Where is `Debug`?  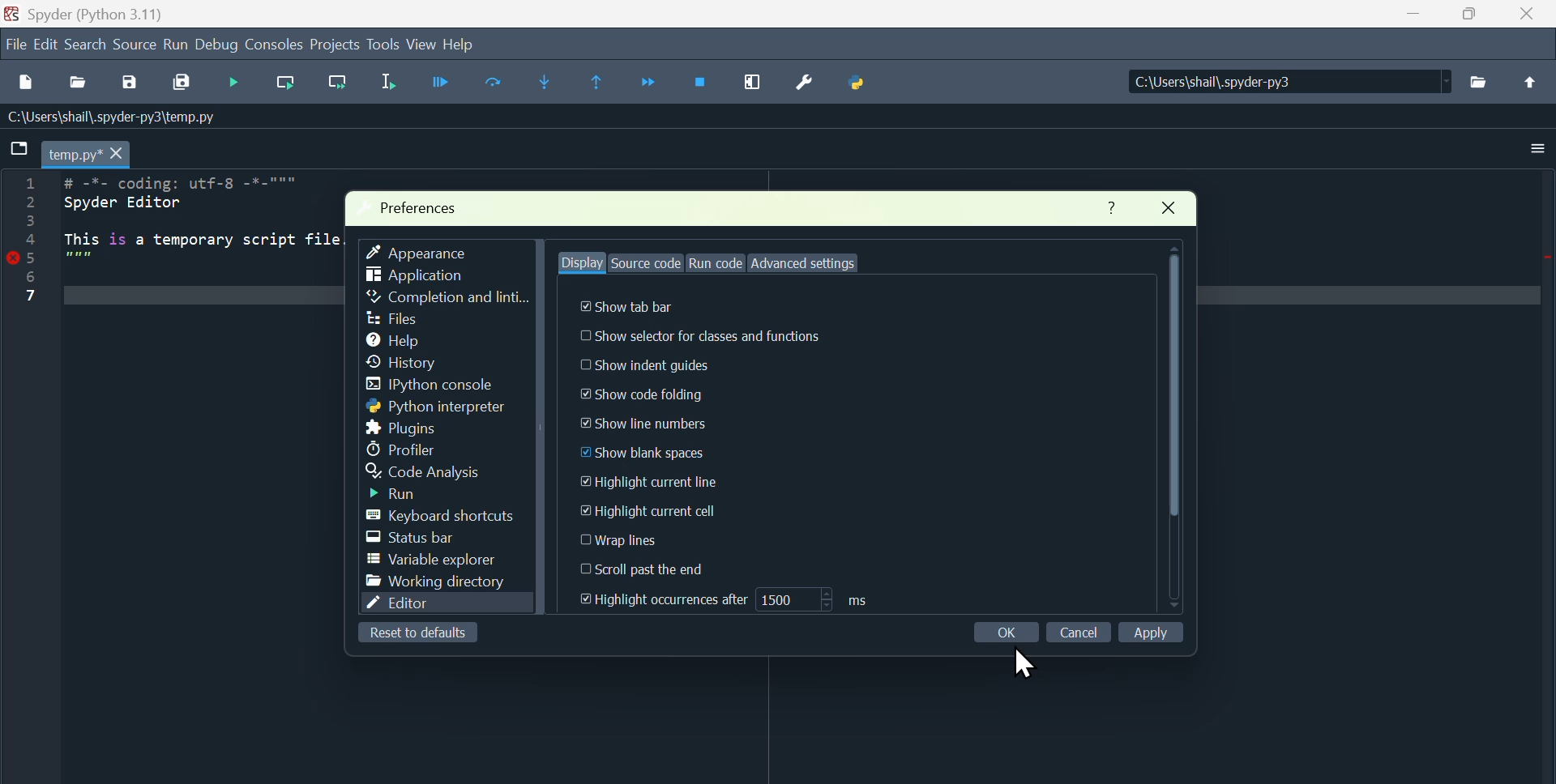 Debug is located at coordinates (217, 44).